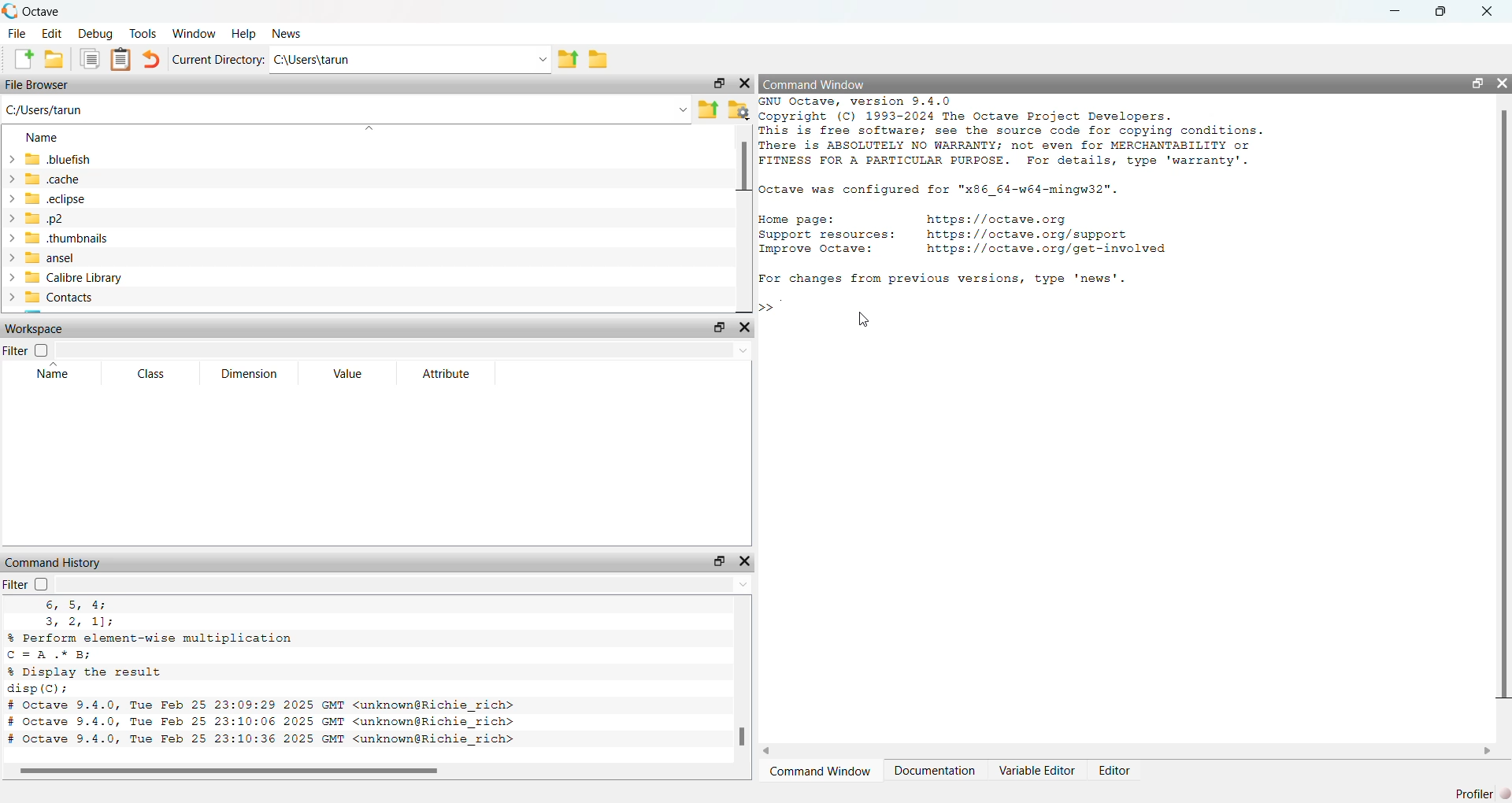 The height and width of the screenshot is (803, 1512). What do you see at coordinates (1501, 82) in the screenshot?
I see `Close` at bounding box center [1501, 82].